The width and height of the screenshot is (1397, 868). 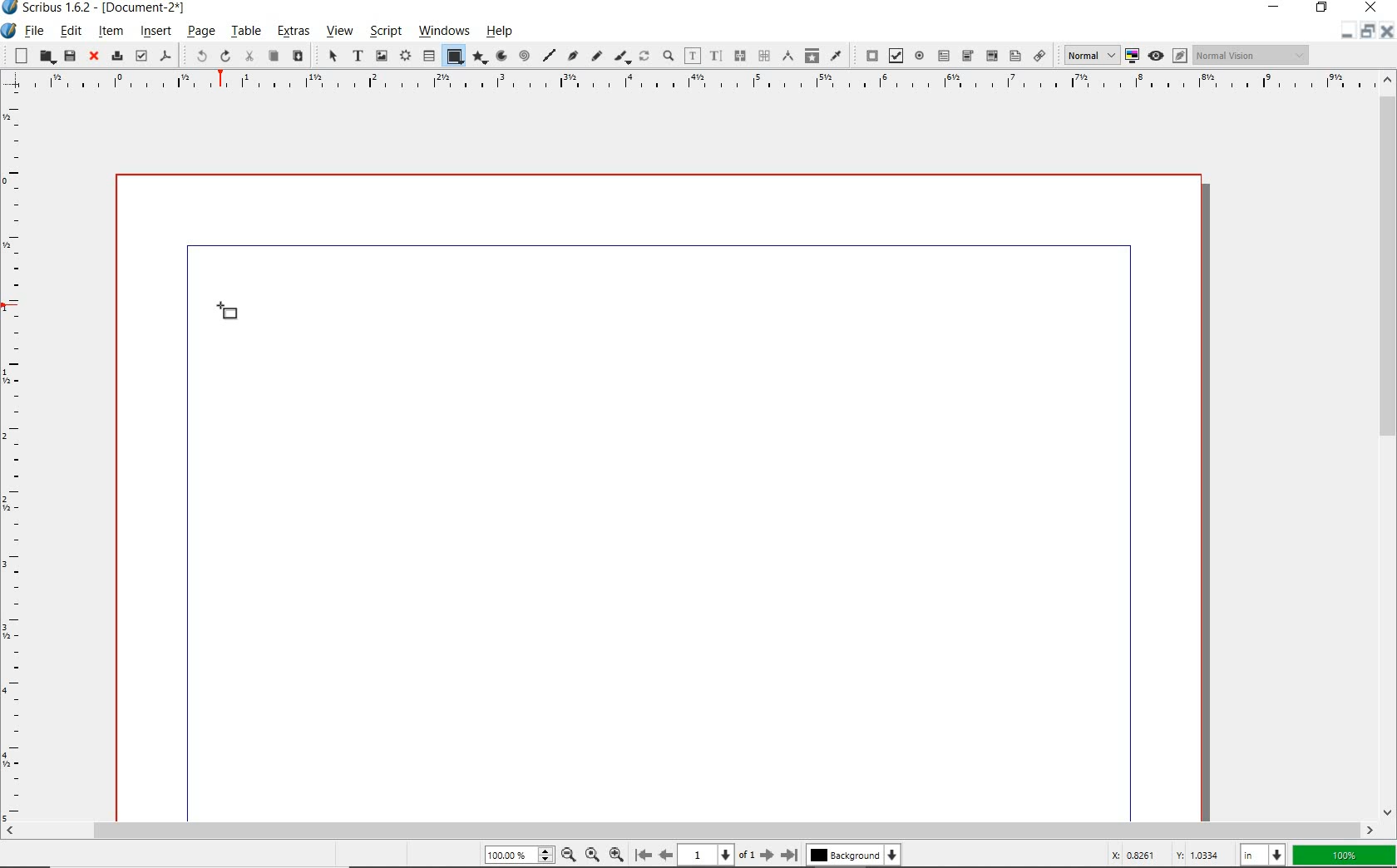 I want to click on ruler, so click(x=16, y=456).